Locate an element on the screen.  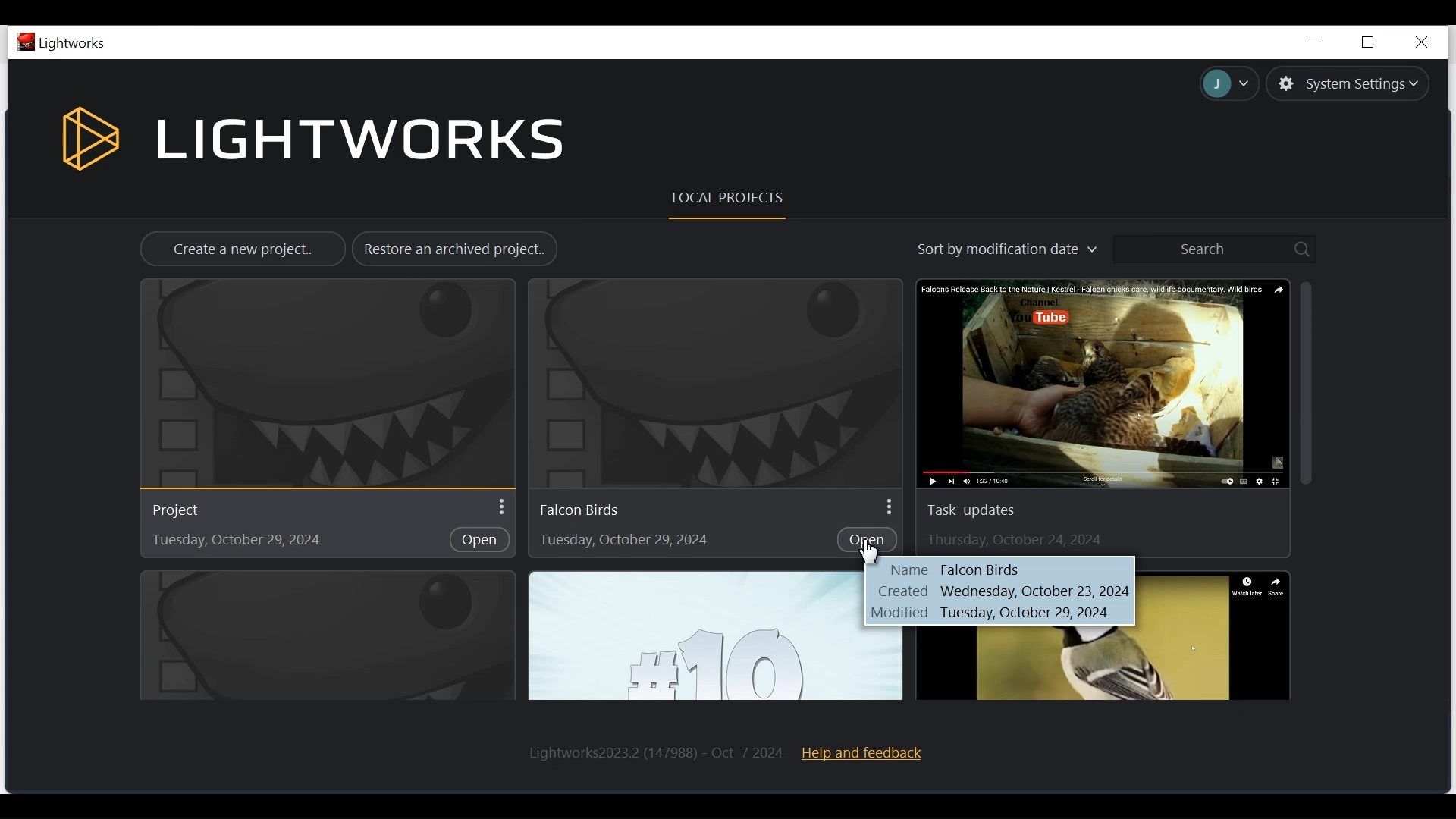
Falcon Birds is located at coordinates (998, 591).